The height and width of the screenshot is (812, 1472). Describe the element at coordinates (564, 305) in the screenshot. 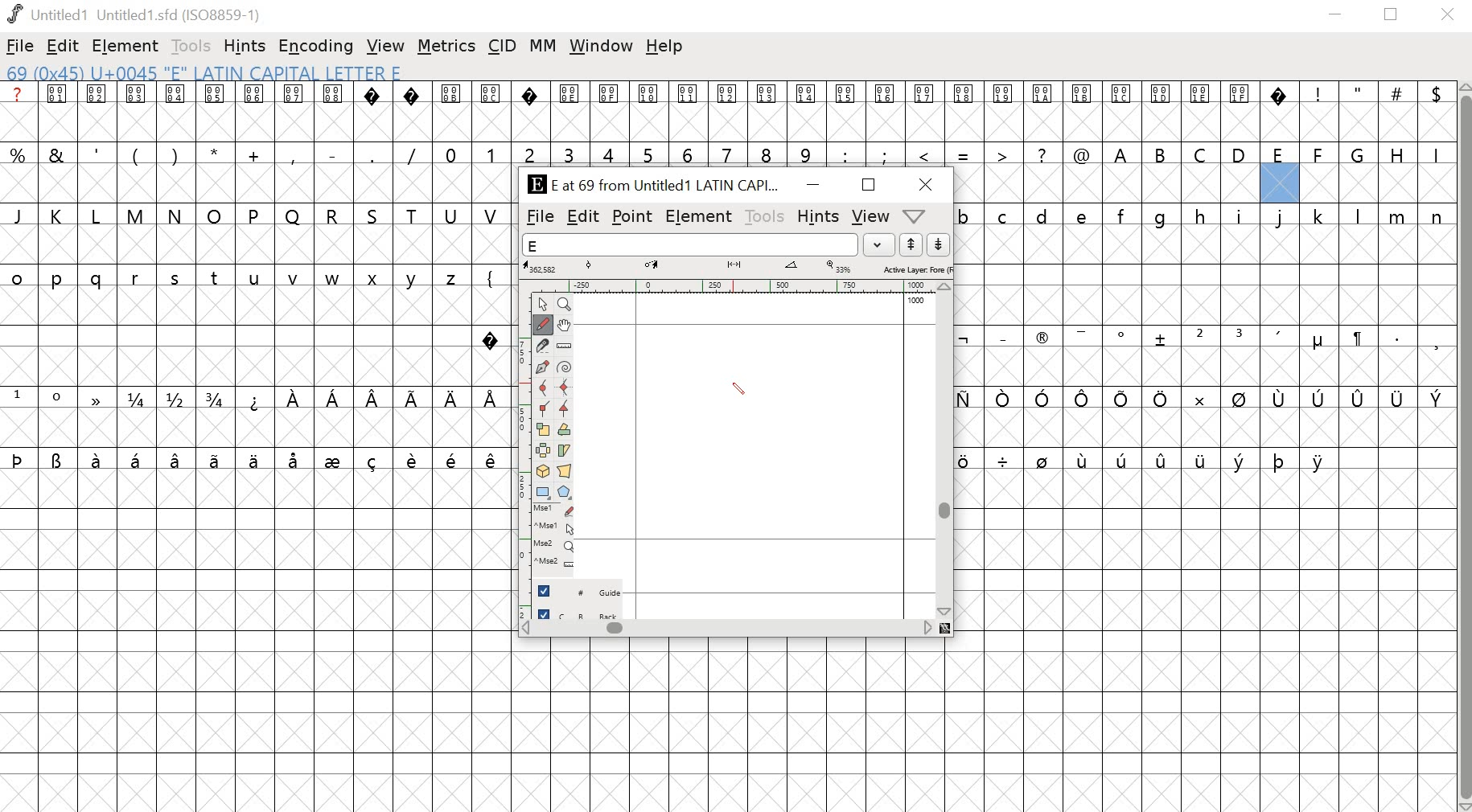

I see `Zoom` at that location.